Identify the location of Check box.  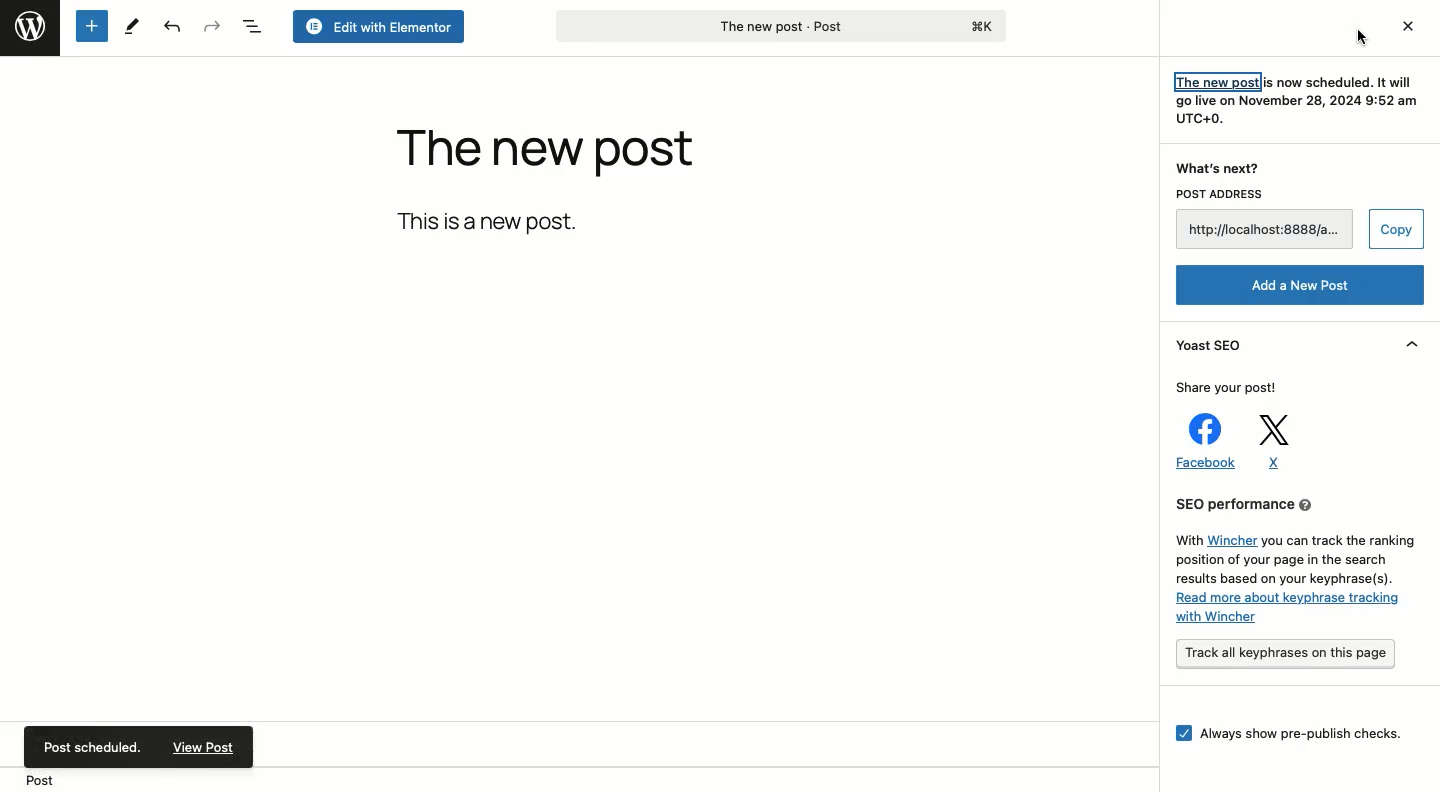
(1180, 733).